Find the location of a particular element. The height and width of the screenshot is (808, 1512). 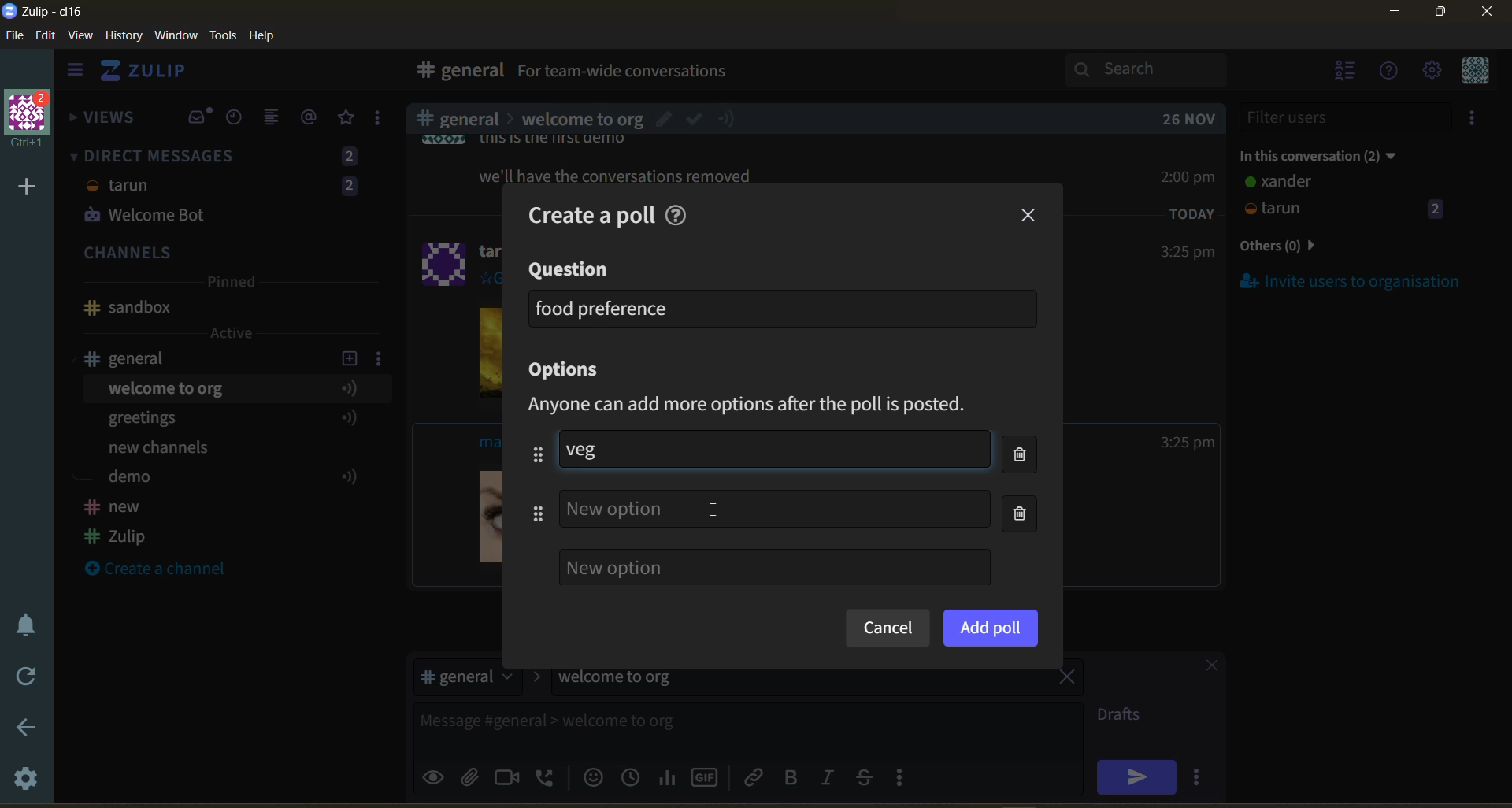

delete is located at coordinates (1025, 487).